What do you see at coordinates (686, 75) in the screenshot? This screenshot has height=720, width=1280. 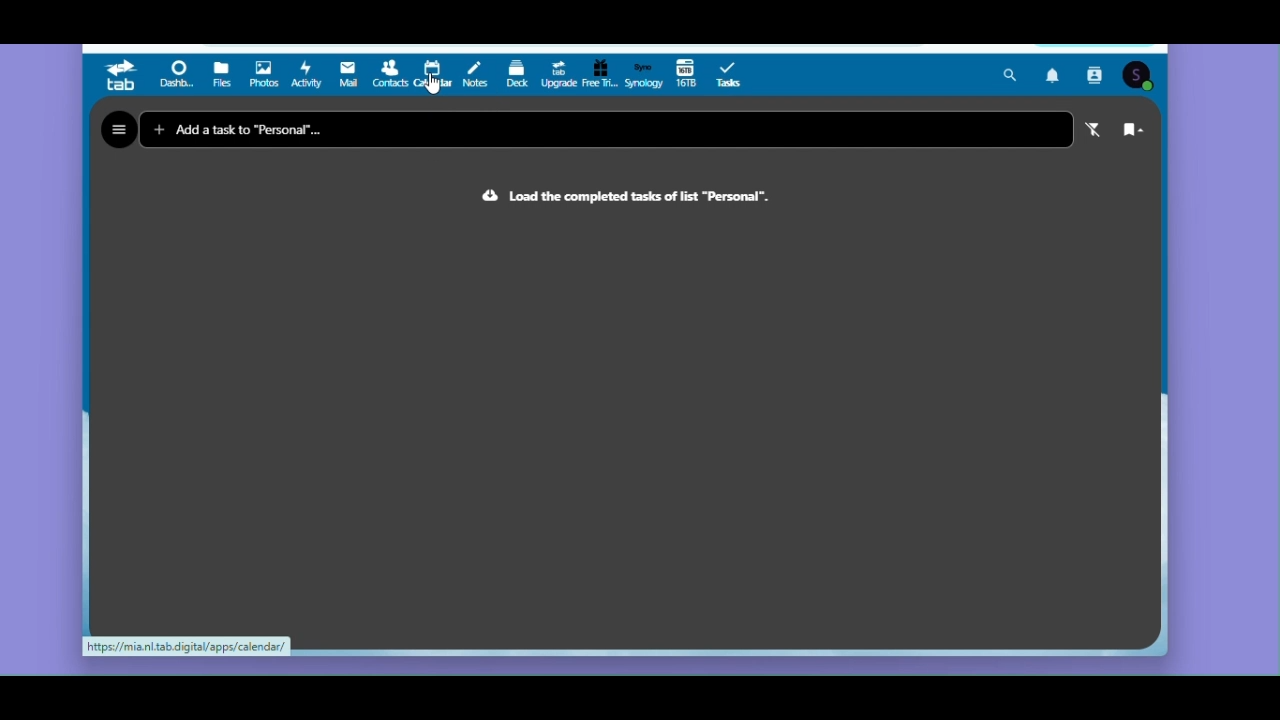 I see `16 TB` at bounding box center [686, 75].